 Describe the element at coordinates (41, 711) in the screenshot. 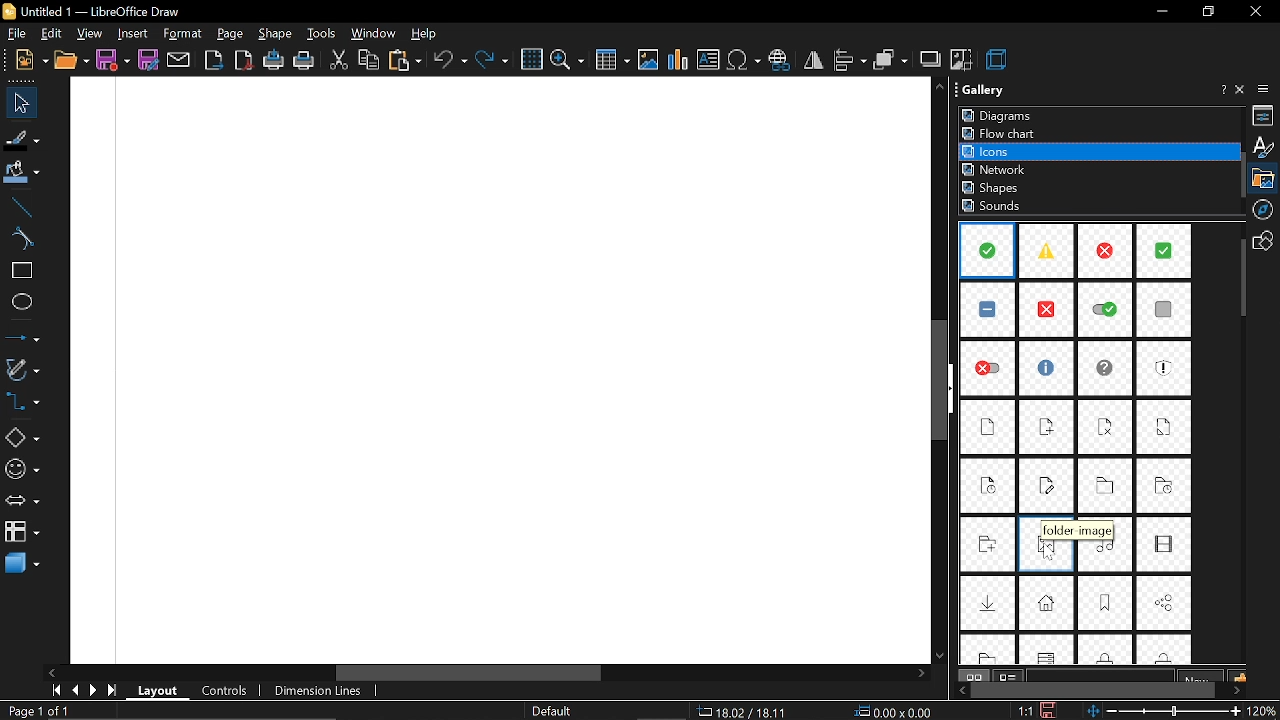

I see `Page 1 of 1` at that location.